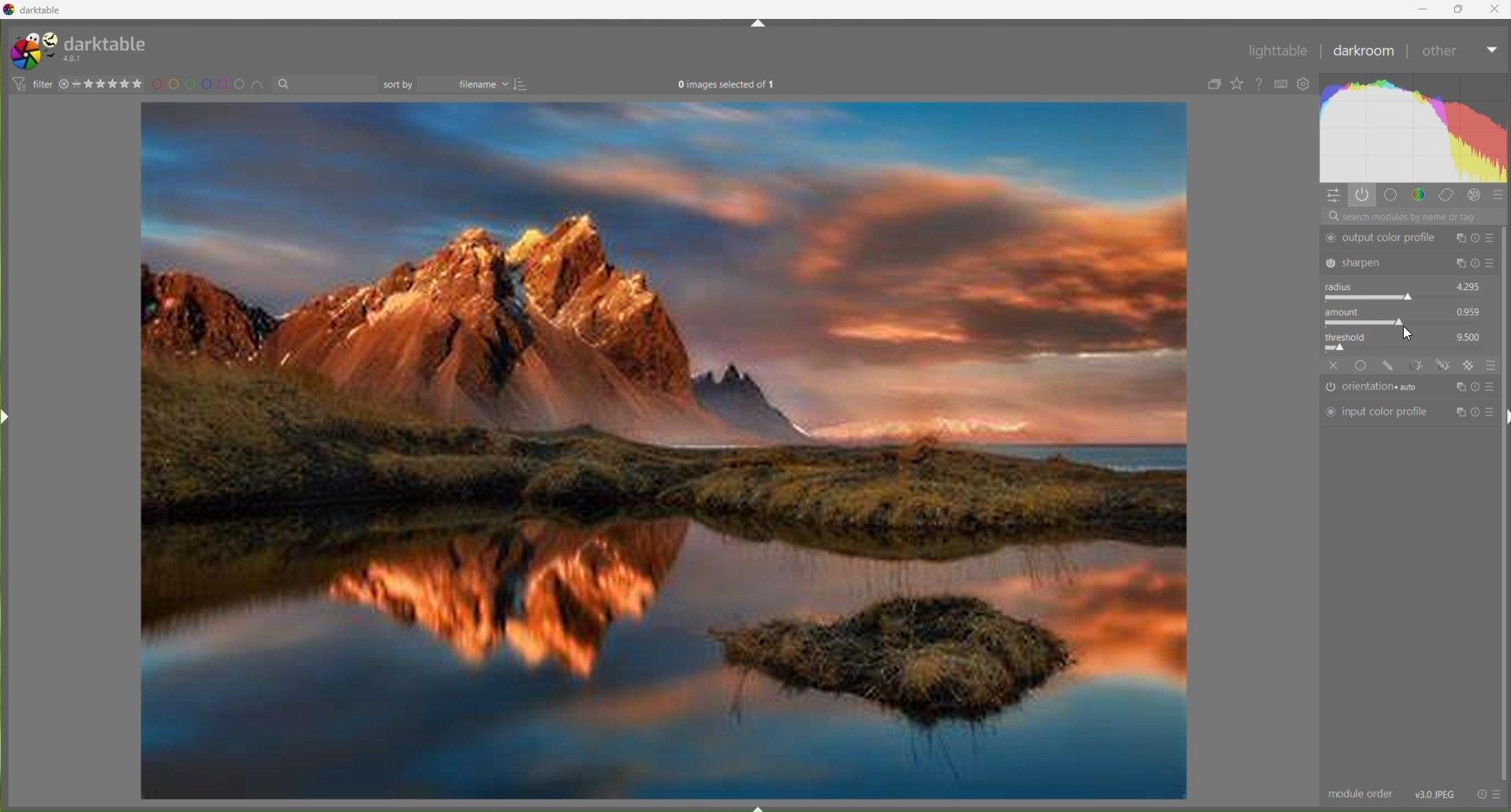  Describe the element at coordinates (1447, 196) in the screenshot. I see `correct` at that location.